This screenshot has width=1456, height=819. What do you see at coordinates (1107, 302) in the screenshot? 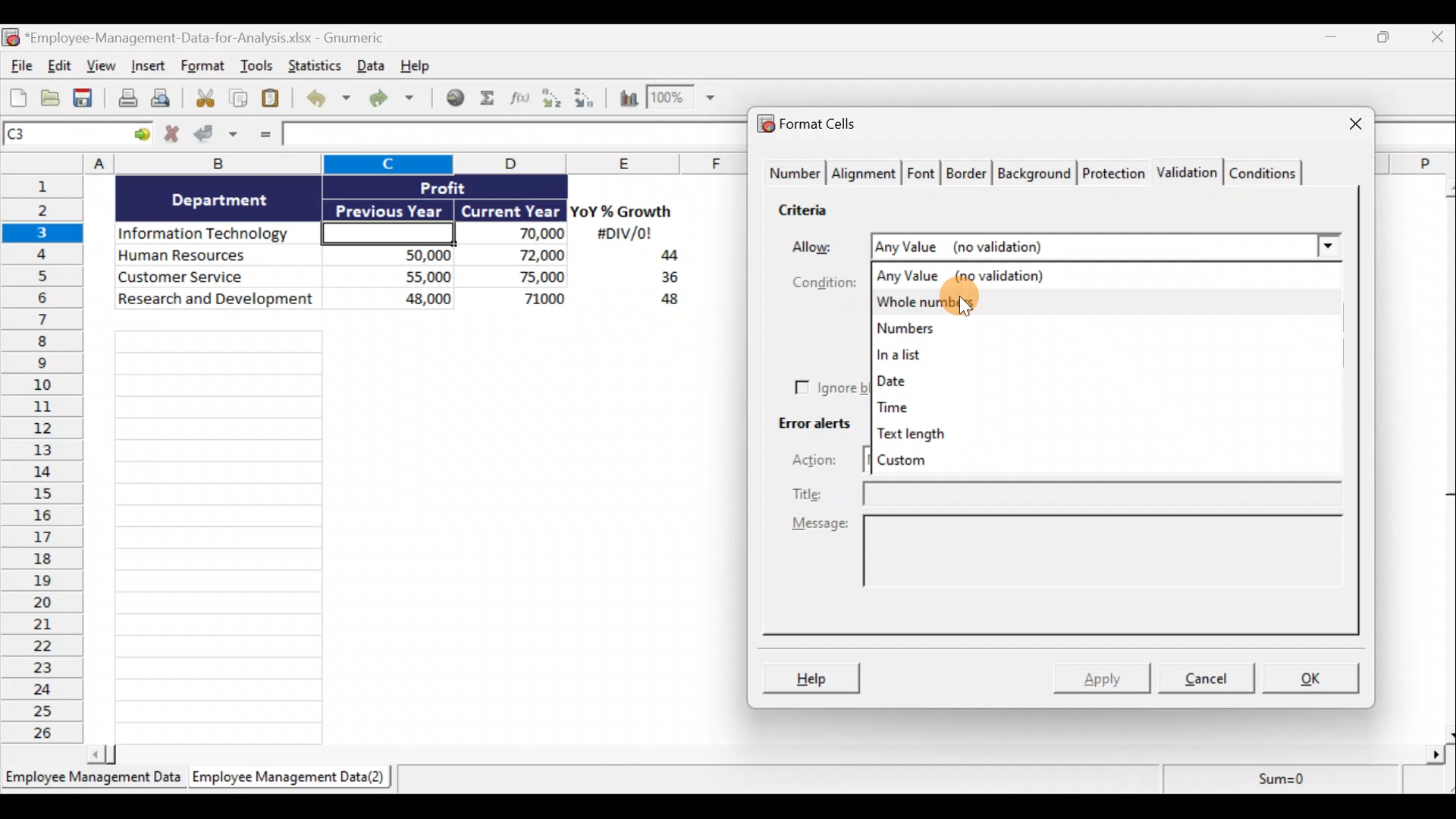
I see `Whole numbers` at bounding box center [1107, 302].